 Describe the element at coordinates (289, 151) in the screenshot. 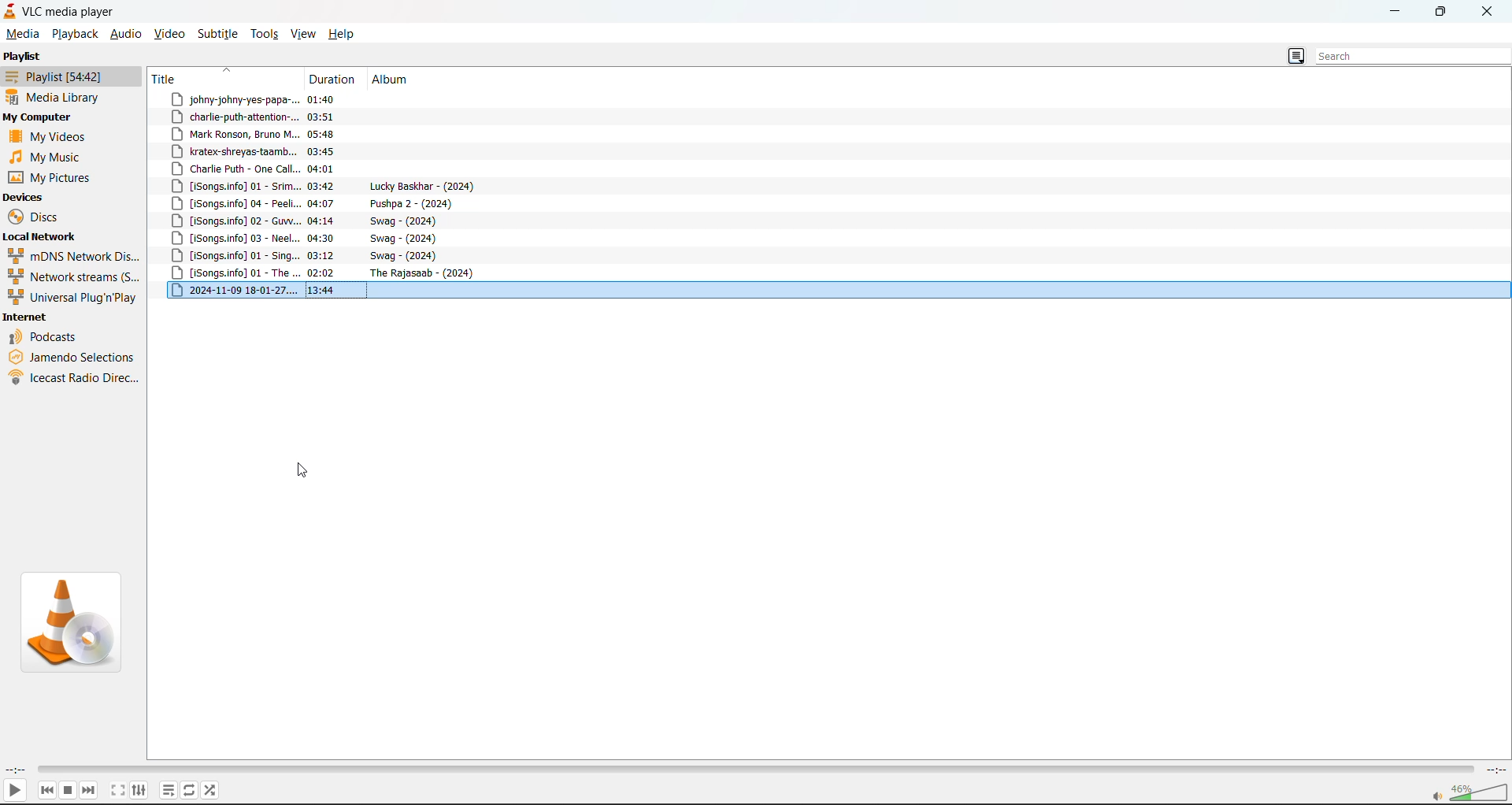

I see `track 3 title, duration and album details` at that location.